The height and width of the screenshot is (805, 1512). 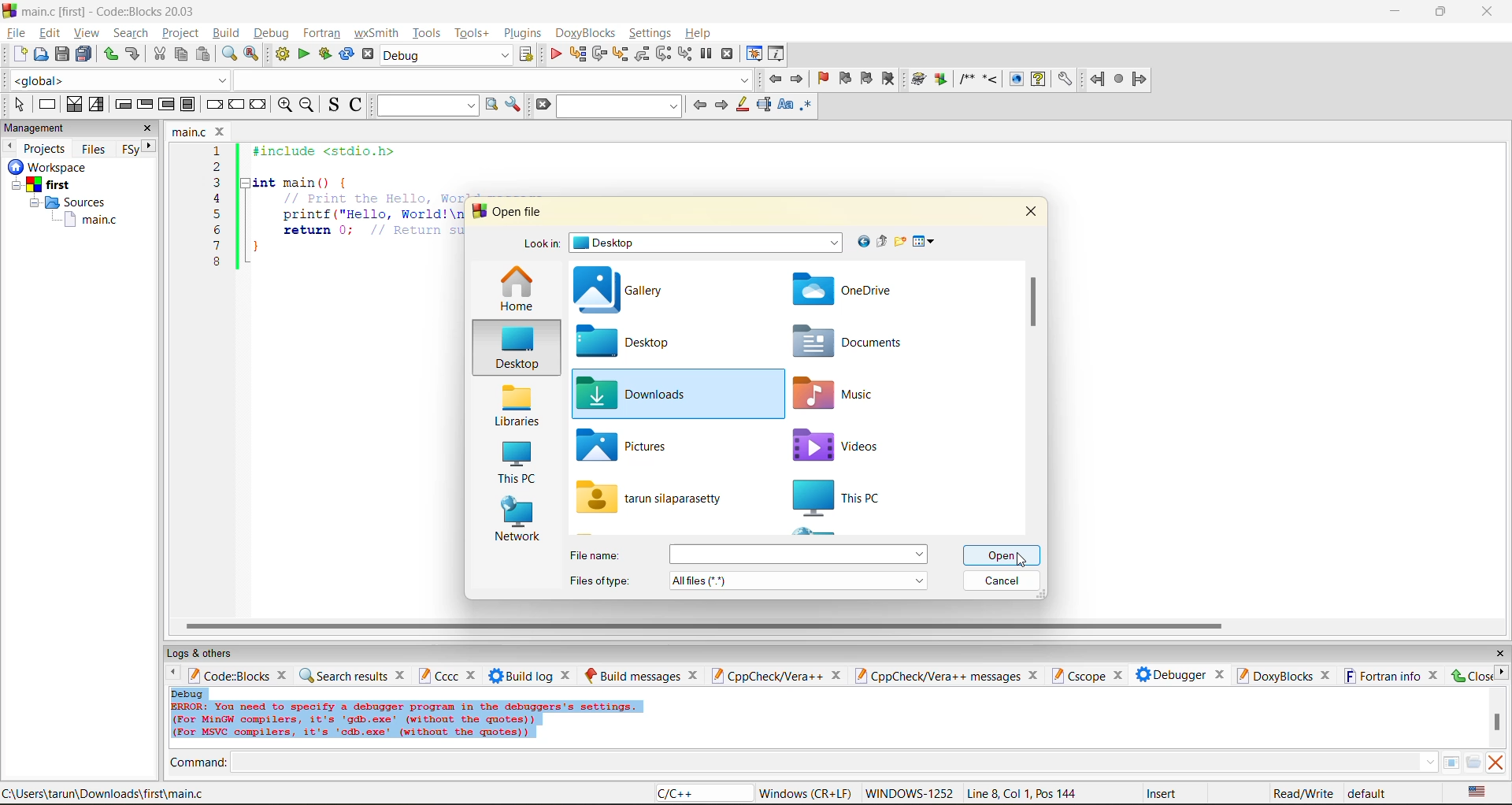 What do you see at coordinates (1435, 675) in the screenshot?
I see `close` at bounding box center [1435, 675].